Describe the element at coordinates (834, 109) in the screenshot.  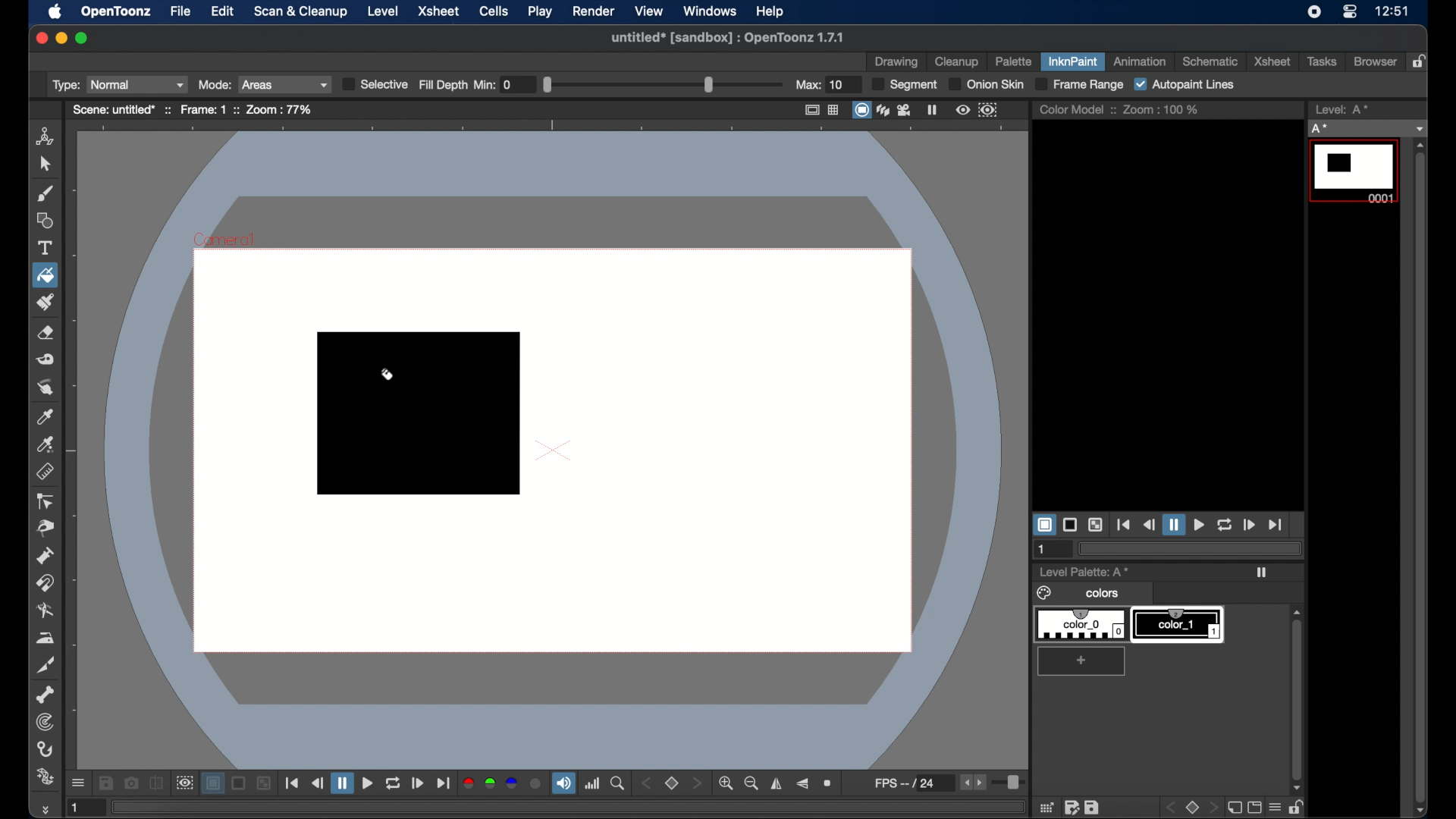
I see `field guide` at that location.